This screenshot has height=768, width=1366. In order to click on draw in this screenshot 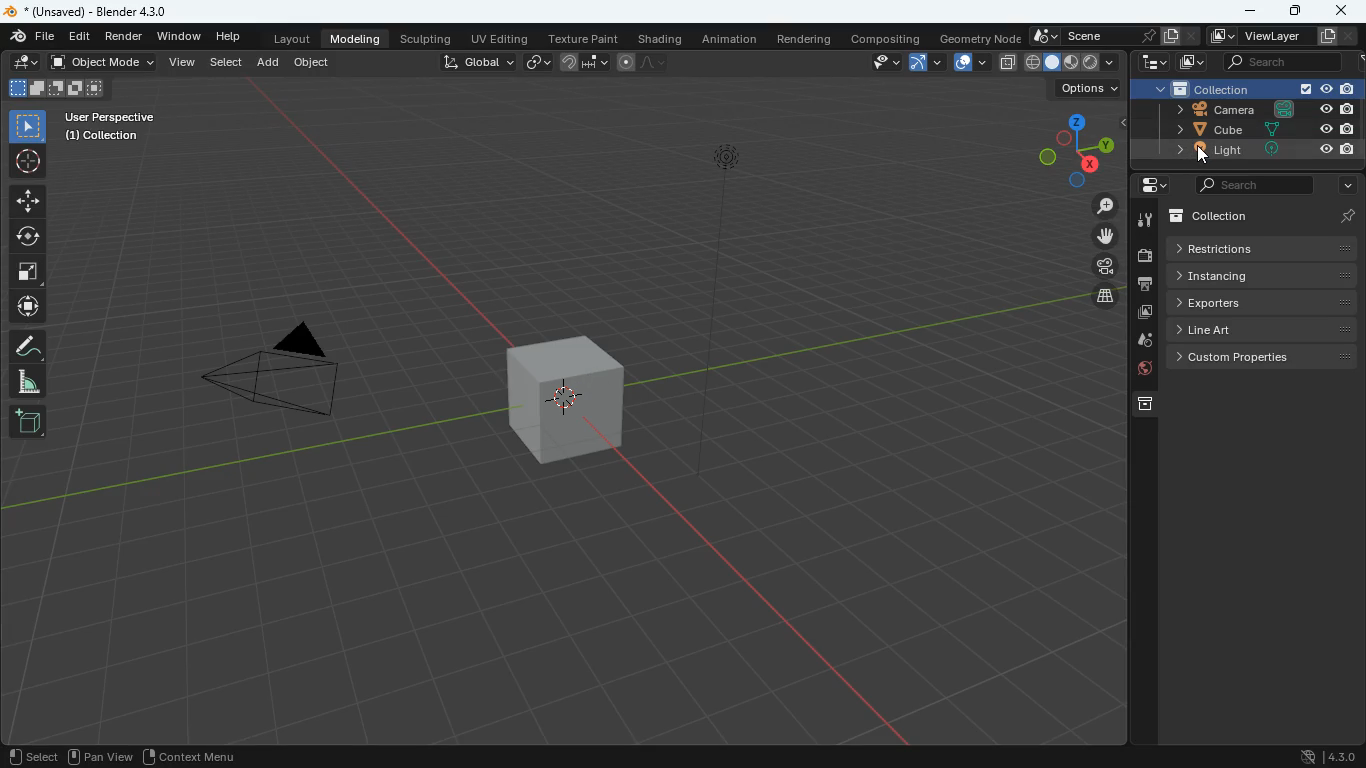, I will do `click(27, 345)`.